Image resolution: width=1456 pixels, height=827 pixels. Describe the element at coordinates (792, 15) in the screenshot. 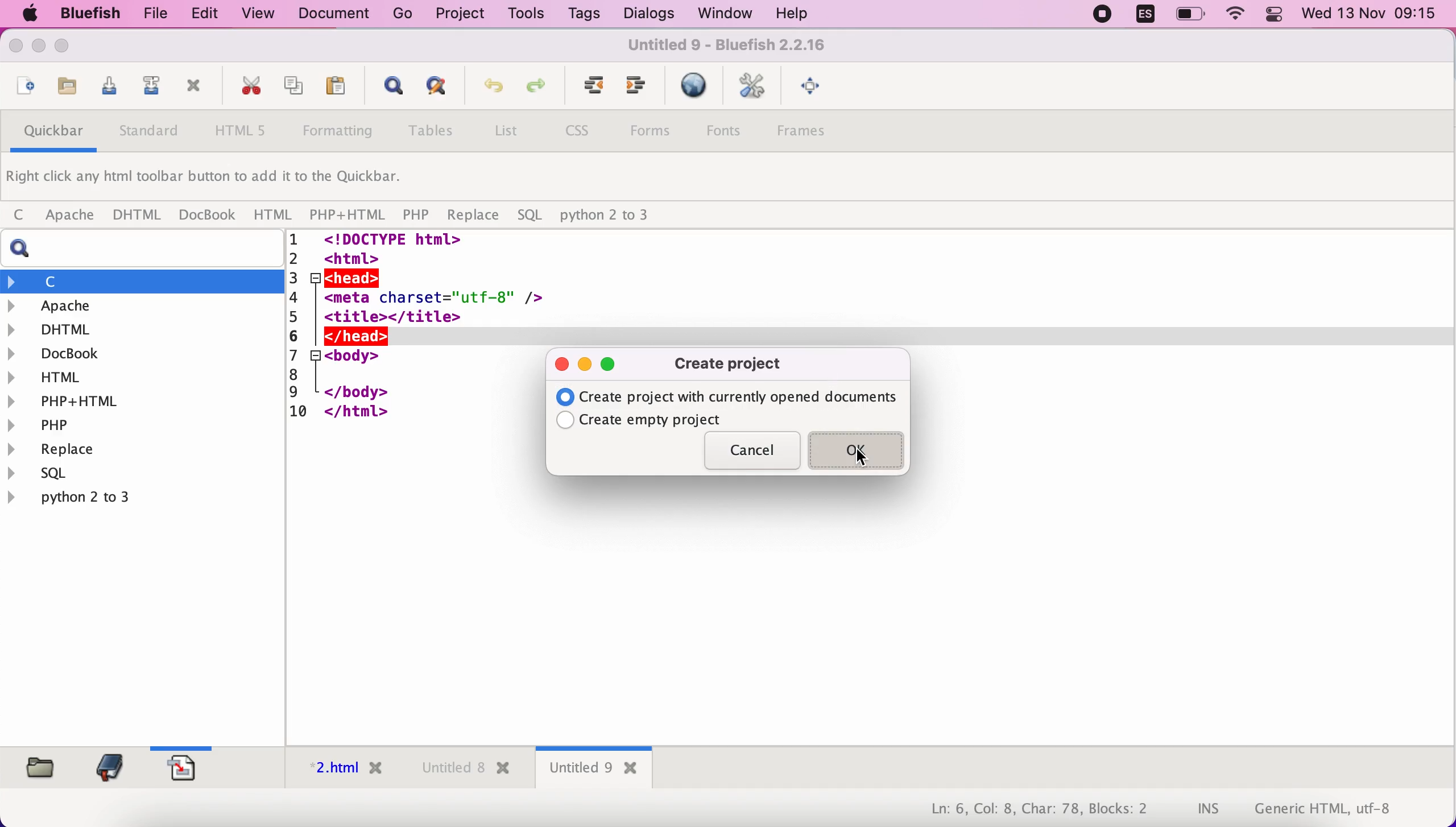

I see `help` at that location.